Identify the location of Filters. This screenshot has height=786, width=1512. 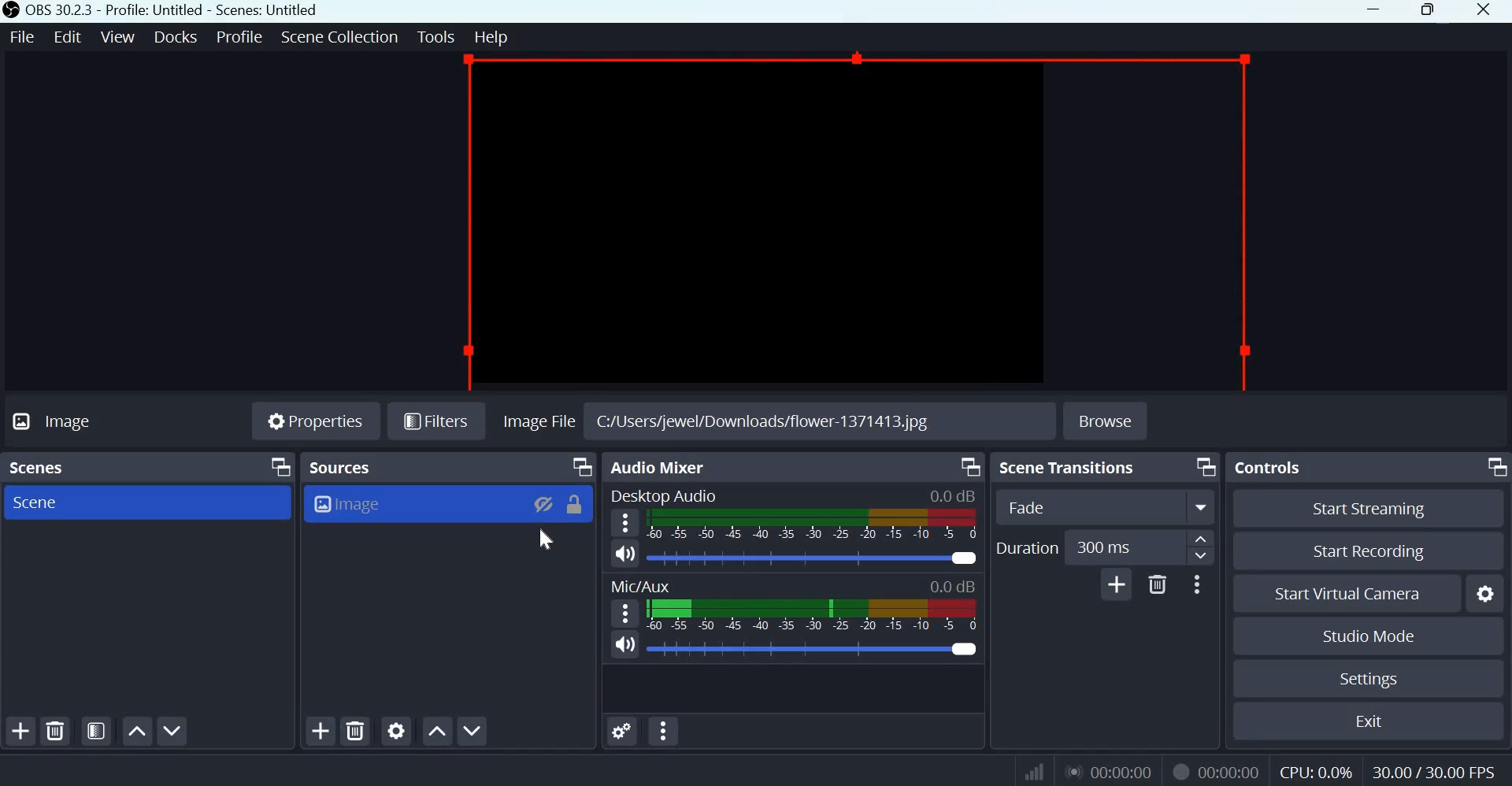
(437, 420).